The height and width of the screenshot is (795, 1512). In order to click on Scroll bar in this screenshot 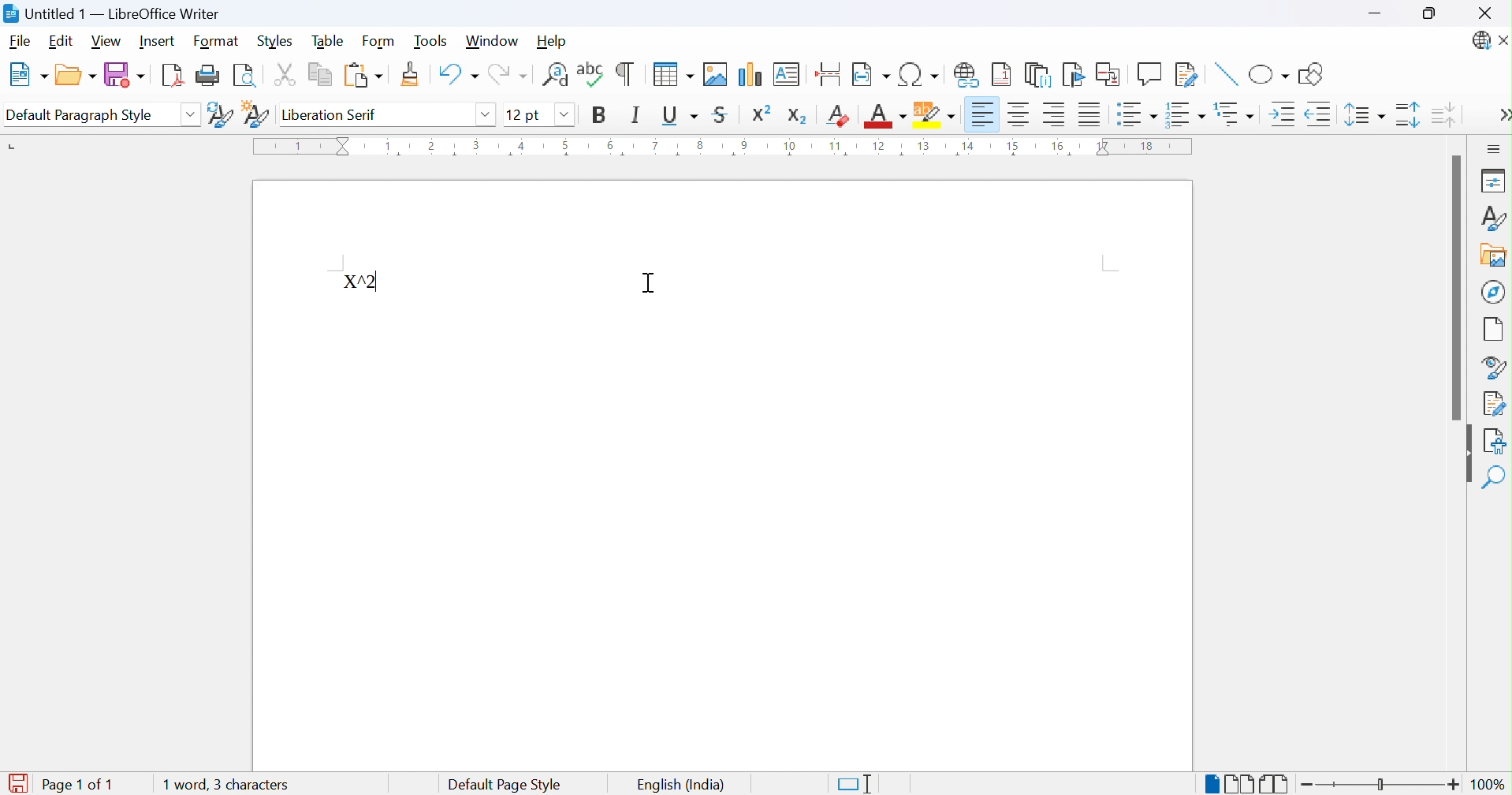, I will do `click(1458, 285)`.